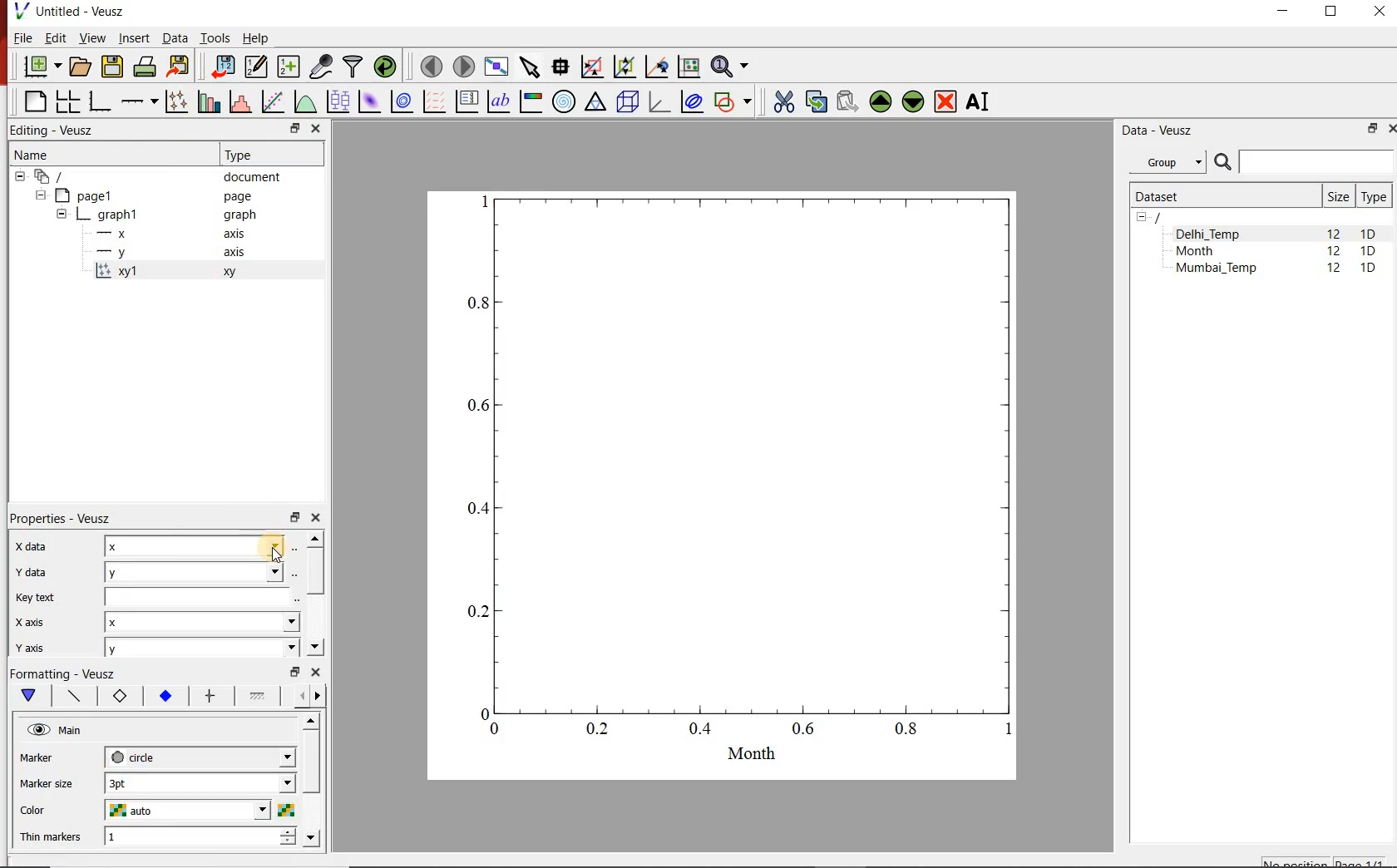 The height and width of the screenshot is (868, 1397). Describe the element at coordinates (137, 101) in the screenshot. I see `Add an axis to the plot` at that location.